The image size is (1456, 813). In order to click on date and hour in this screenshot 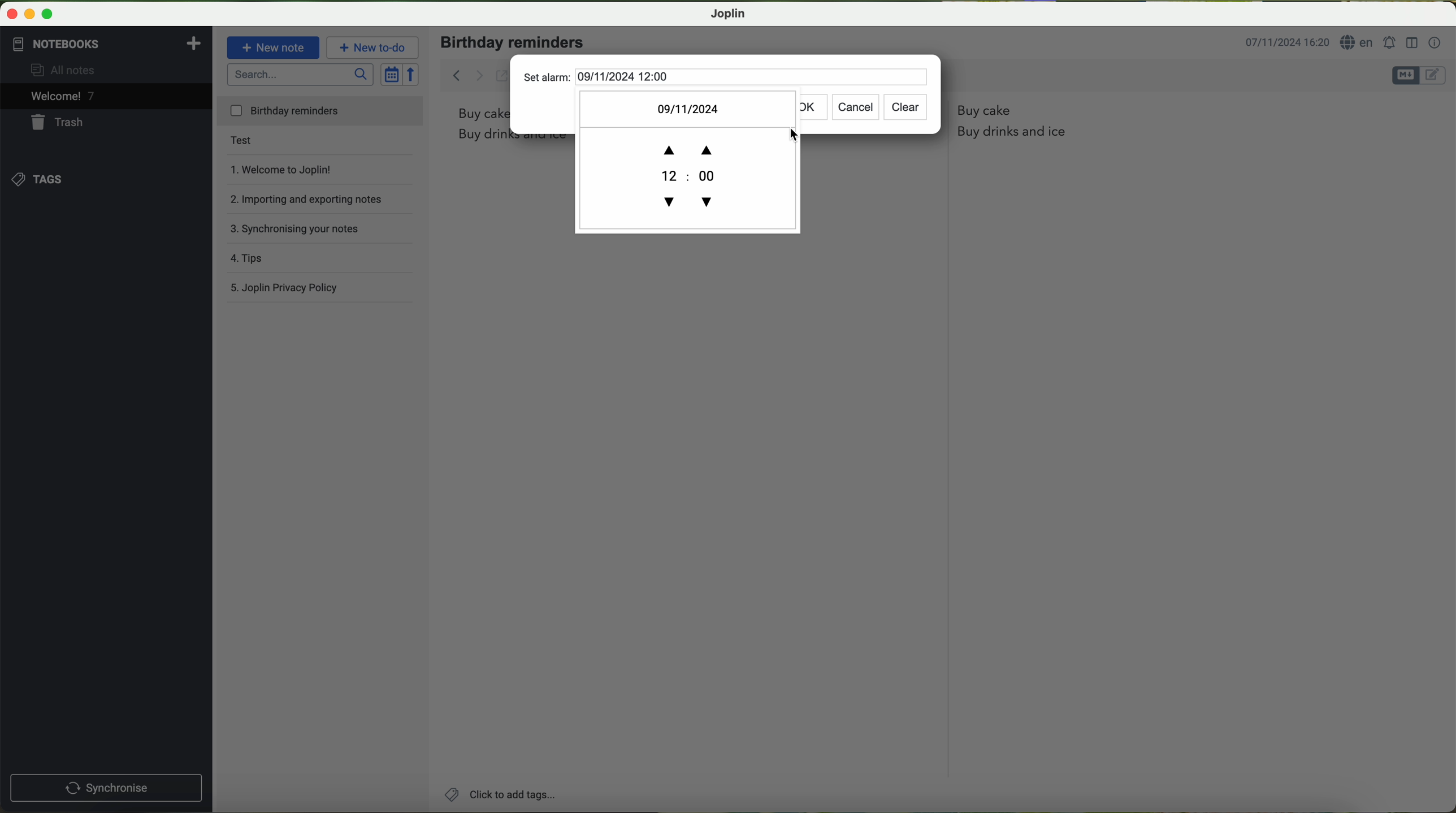, I will do `click(1288, 42)`.